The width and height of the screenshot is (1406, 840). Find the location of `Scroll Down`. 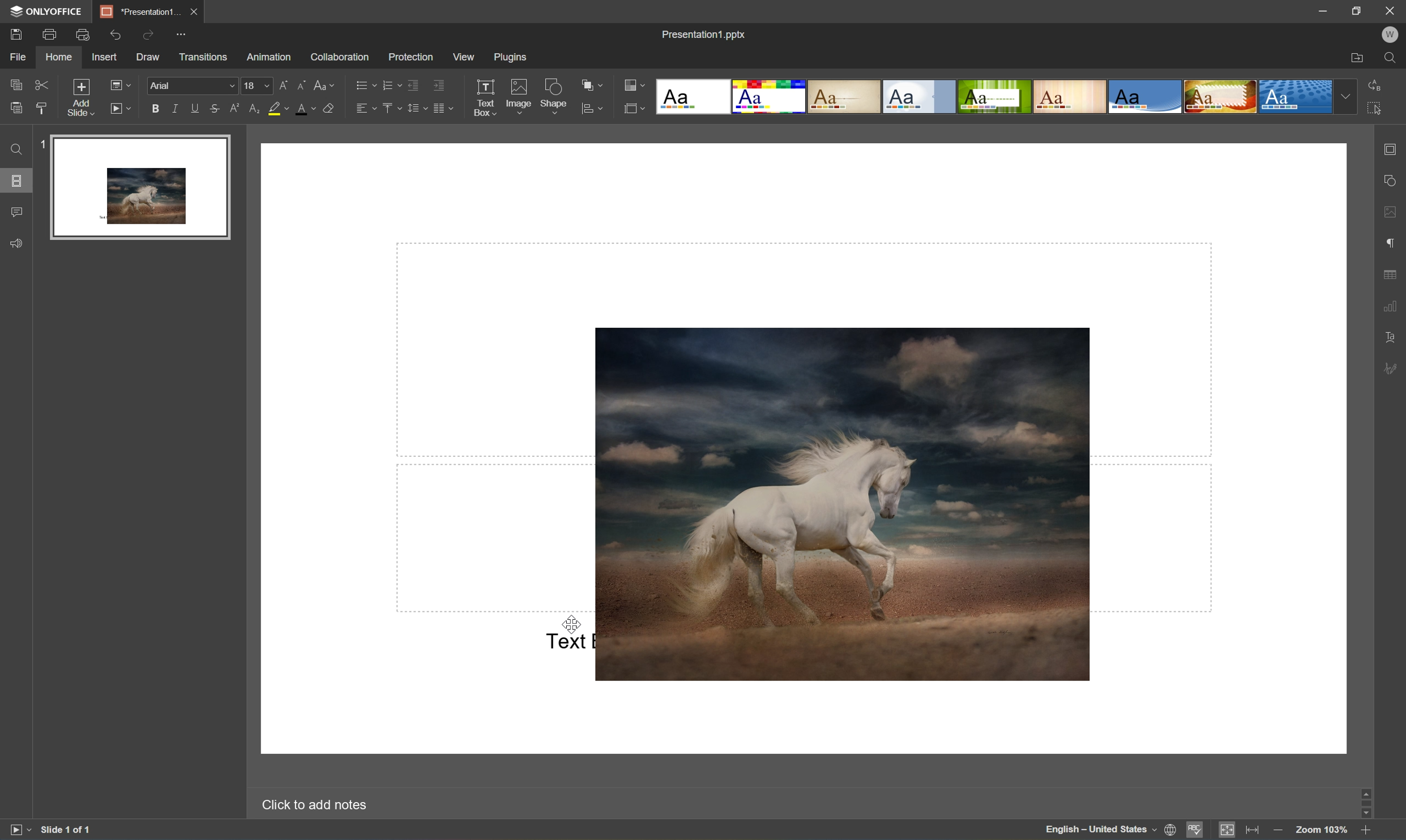

Scroll Down is located at coordinates (1366, 812).